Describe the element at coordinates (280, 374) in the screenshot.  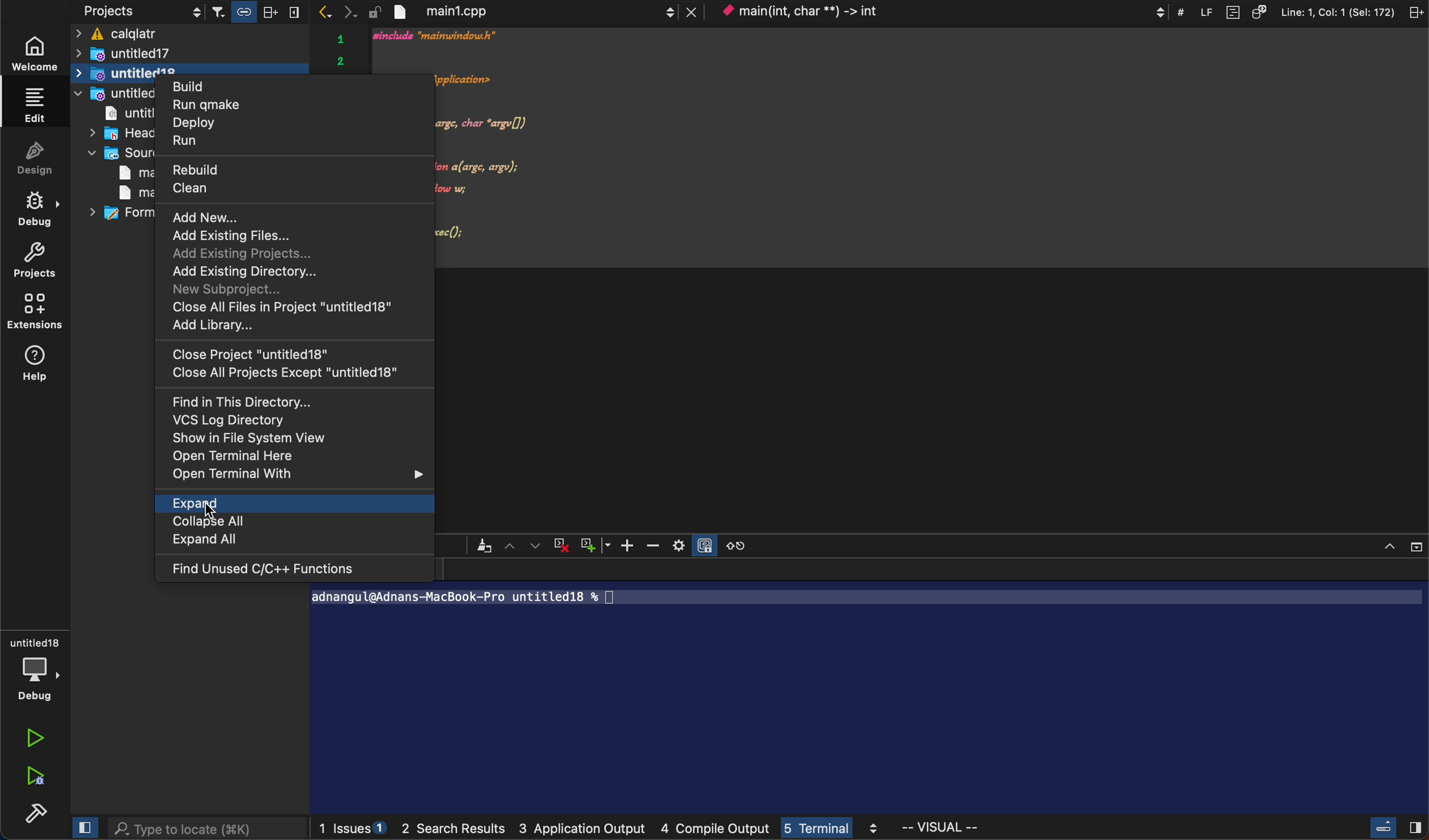
I see `close all` at that location.